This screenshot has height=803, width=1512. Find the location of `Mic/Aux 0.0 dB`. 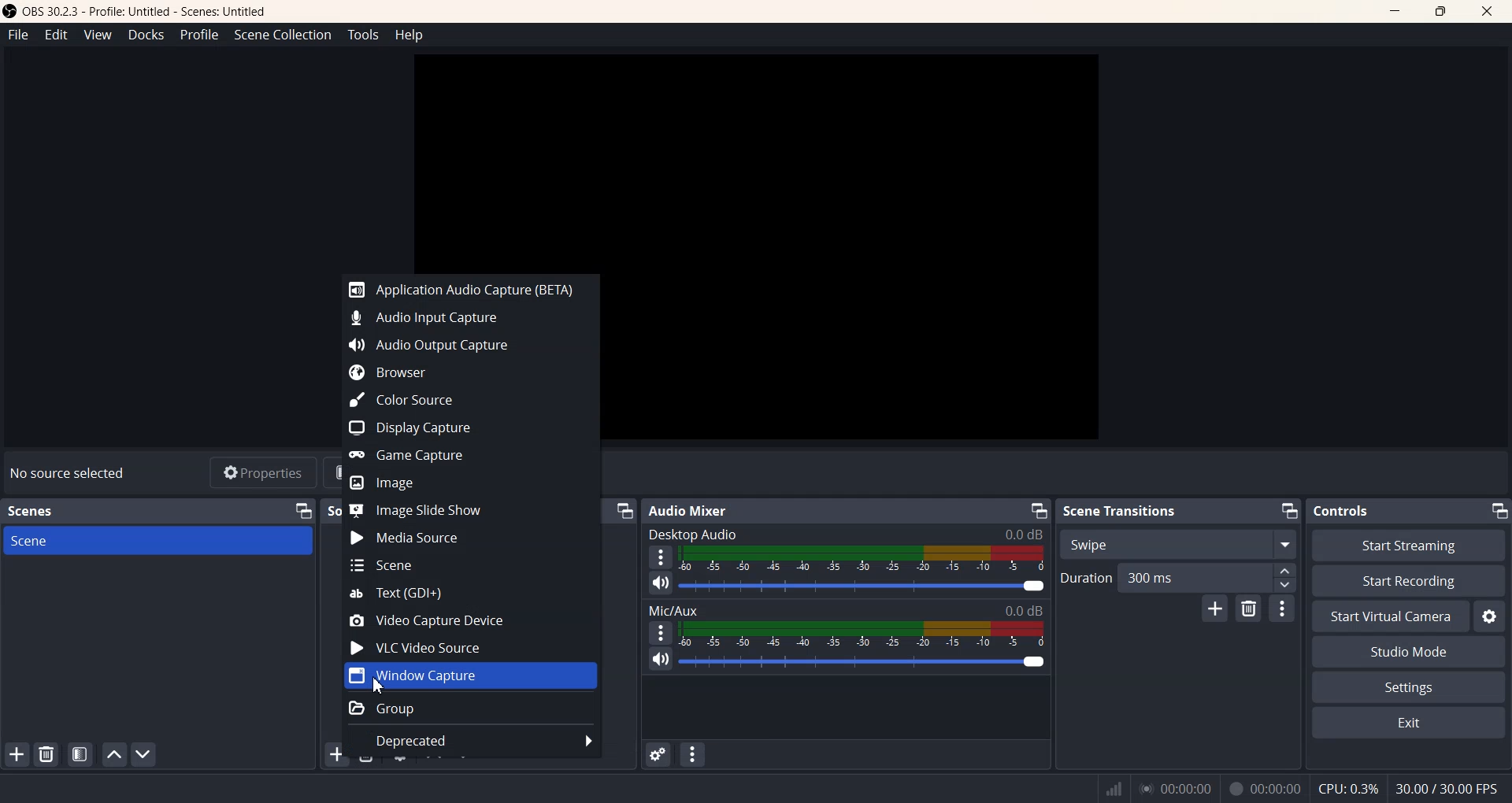

Mic/Aux 0.0 dB is located at coordinates (845, 610).